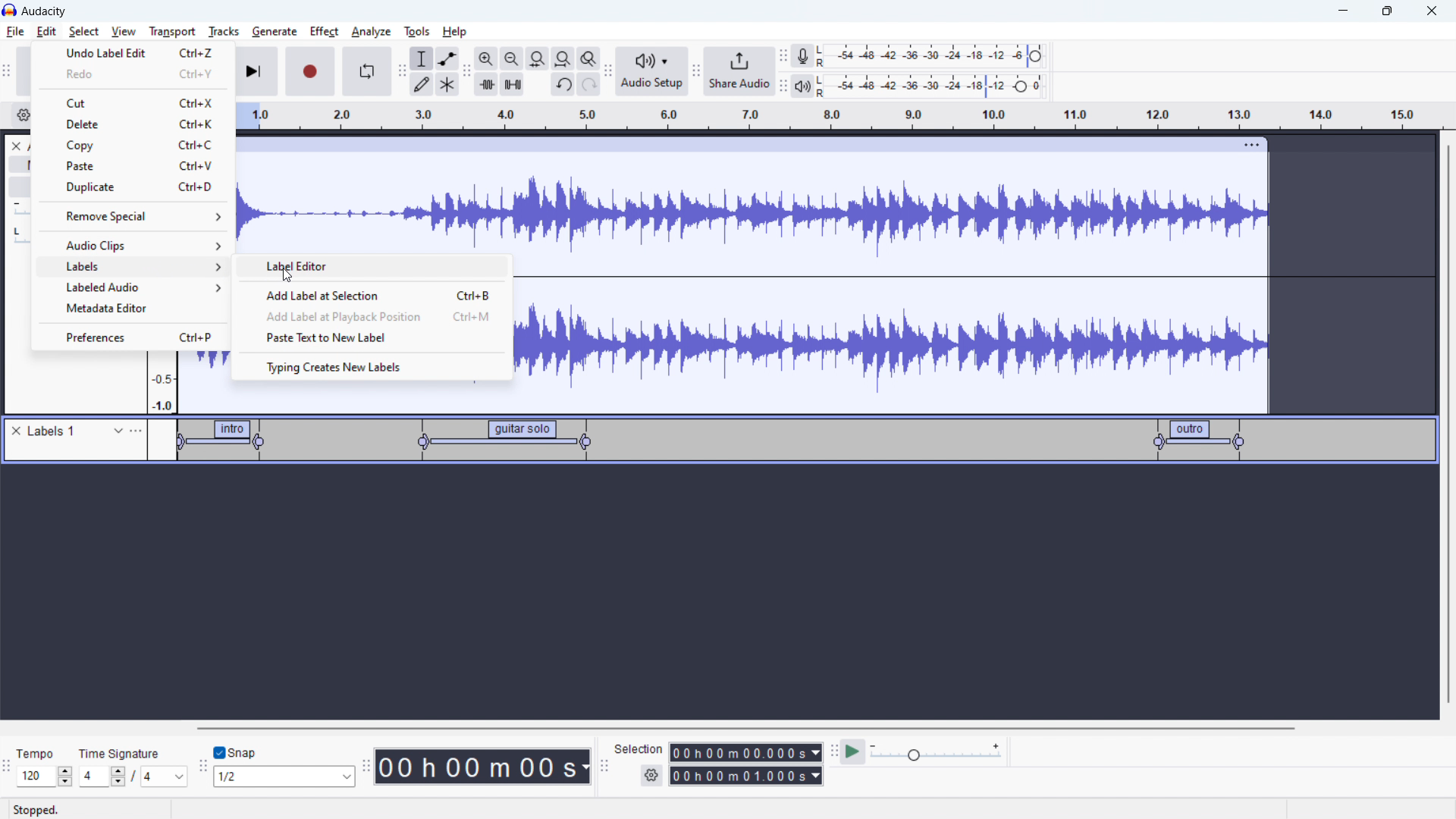  I want to click on Label editor, so click(300, 267).